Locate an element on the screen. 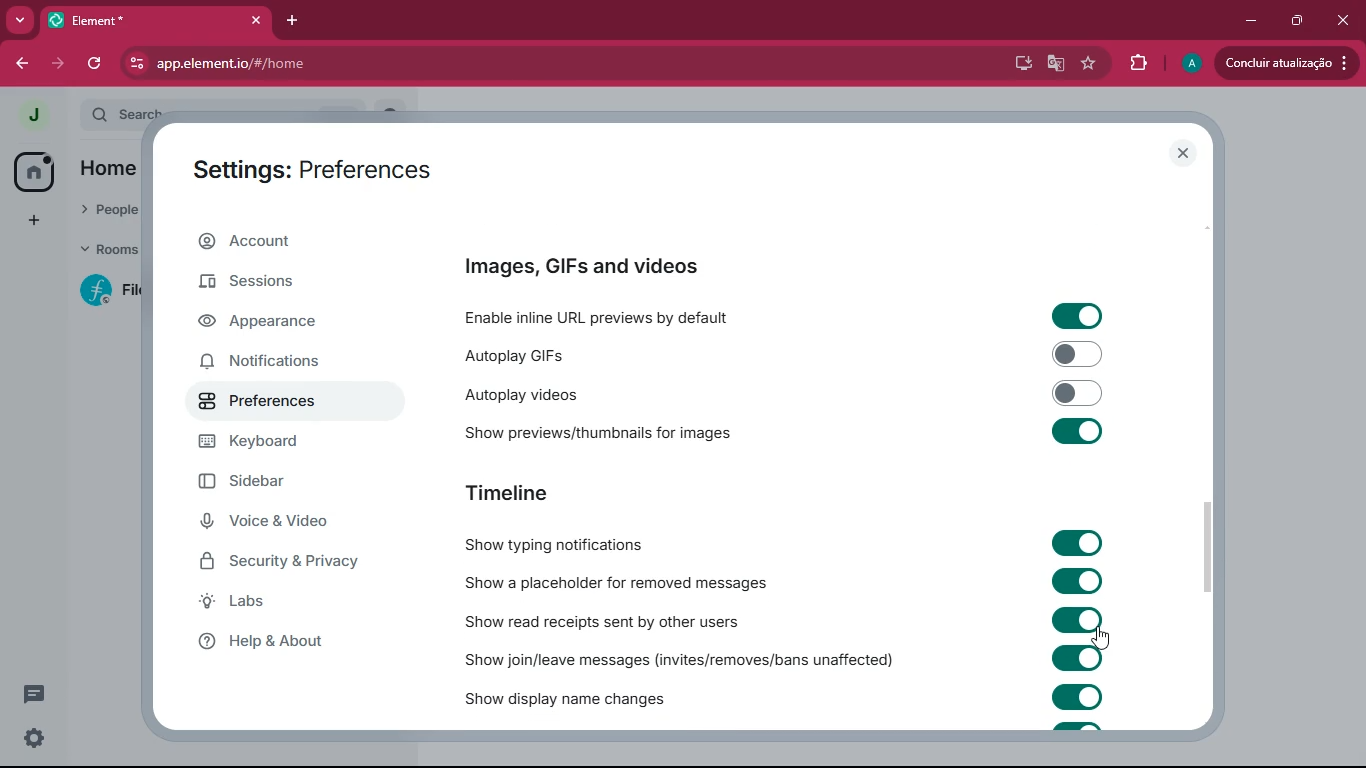 The image size is (1366, 768). help & about is located at coordinates (302, 642).